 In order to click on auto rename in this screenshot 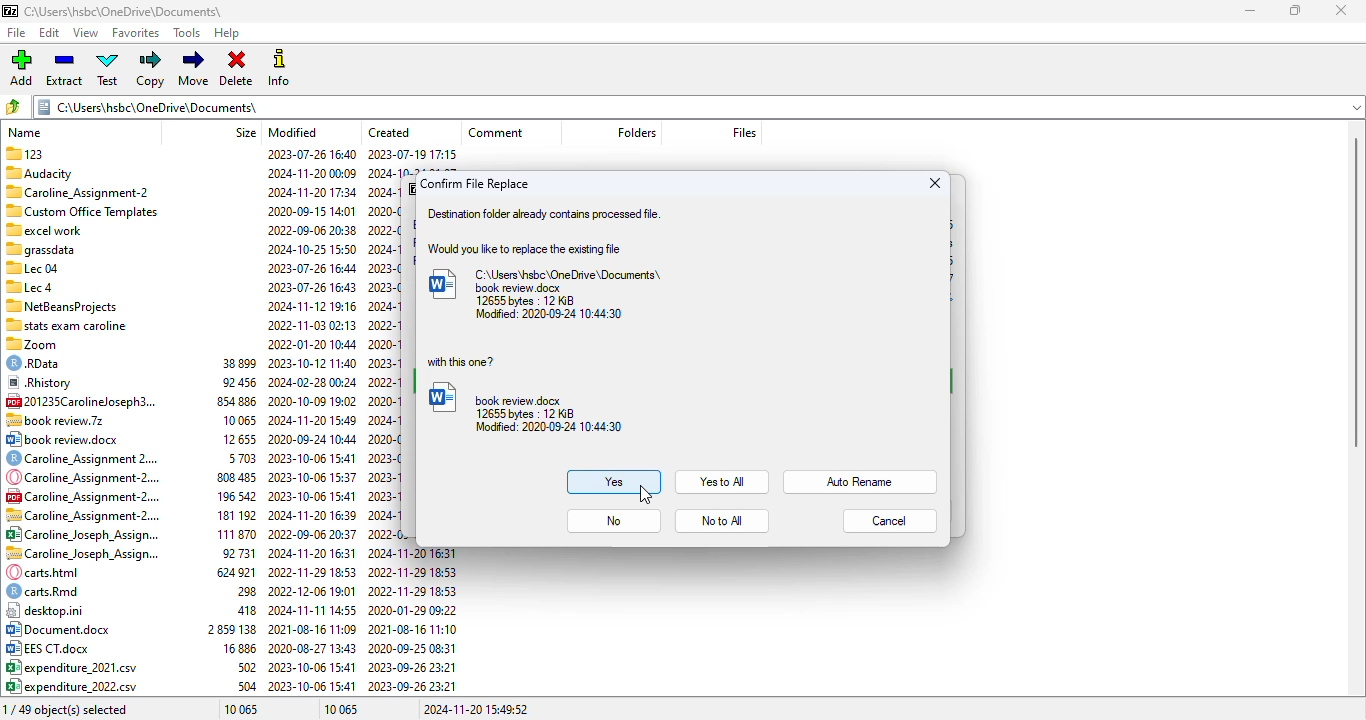, I will do `click(860, 483)`.